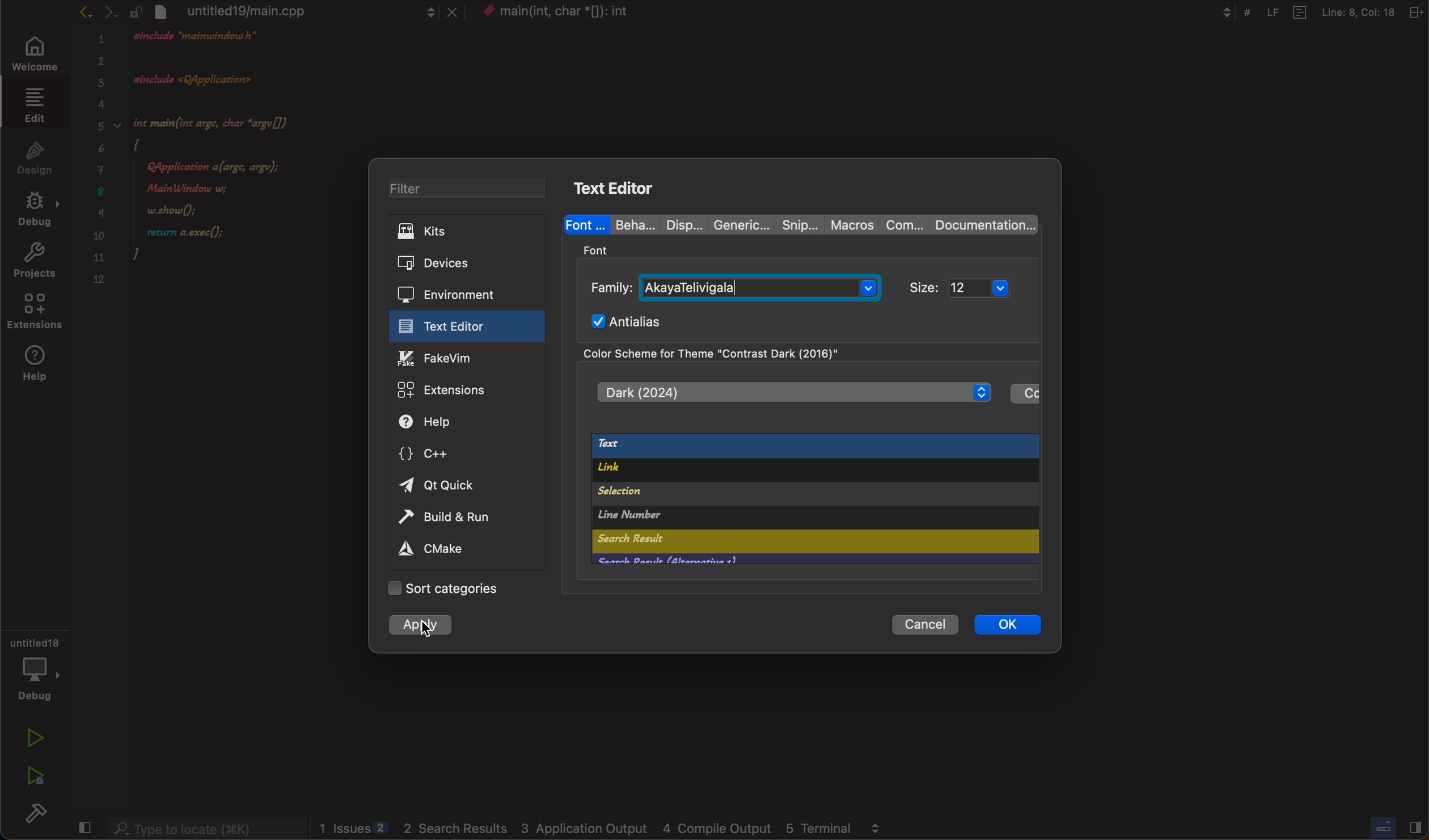 The width and height of the screenshot is (1429, 840). What do you see at coordinates (586, 223) in the screenshot?
I see `font` at bounding box center [586, 223].